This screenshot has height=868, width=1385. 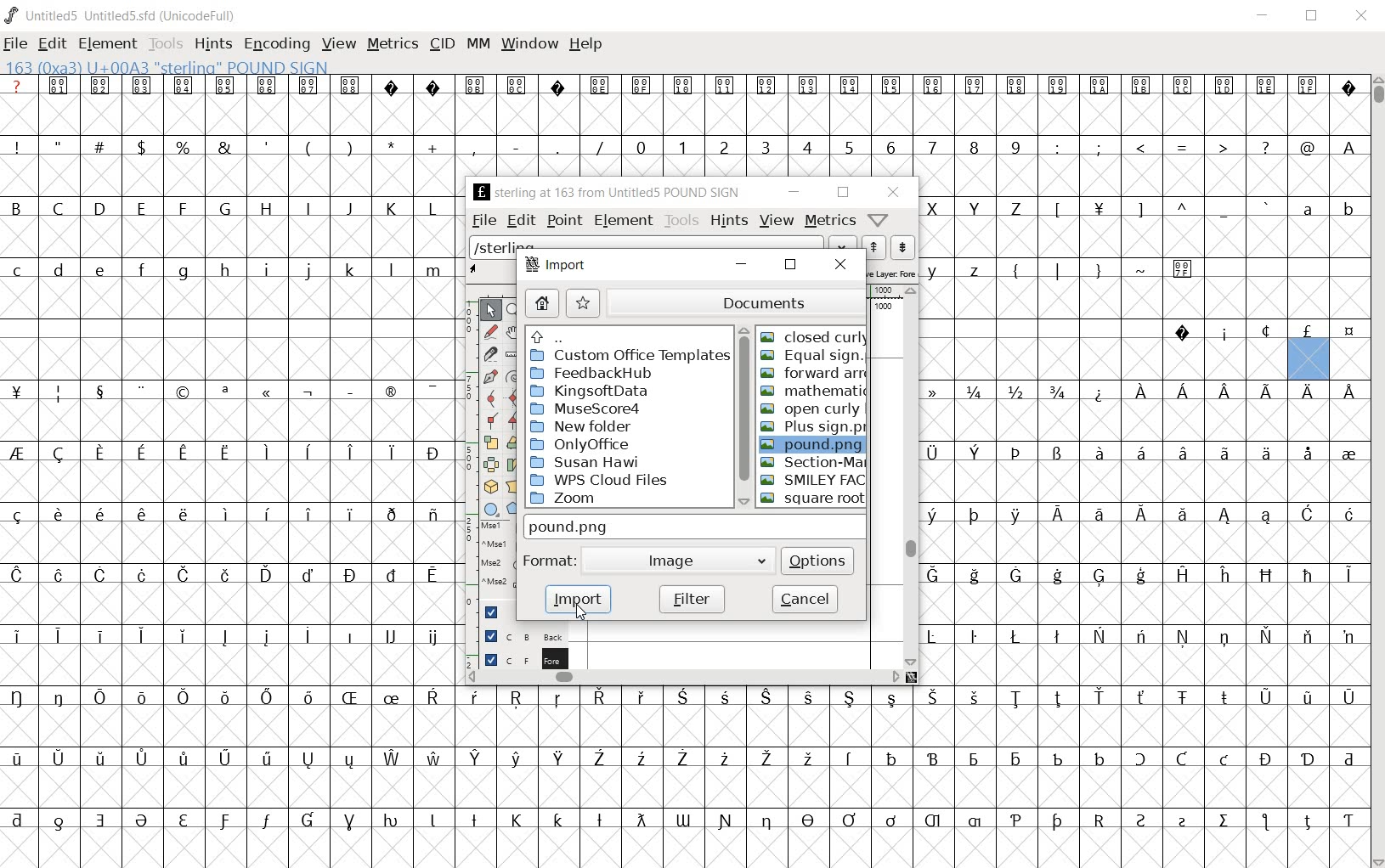 I want to click on Symbol, so click(x=1099, y=819).